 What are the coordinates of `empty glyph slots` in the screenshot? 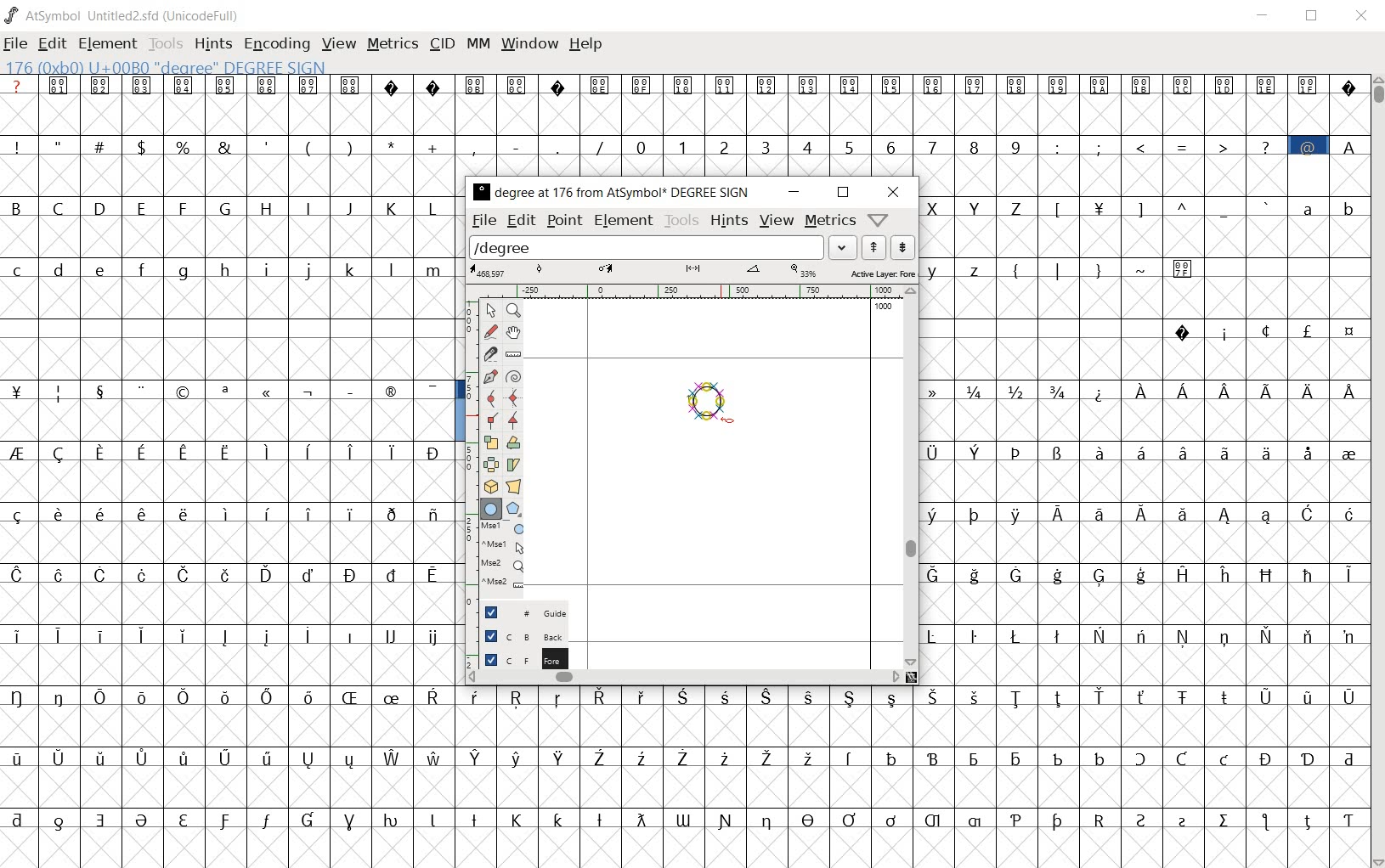 It's located at (226, 479).